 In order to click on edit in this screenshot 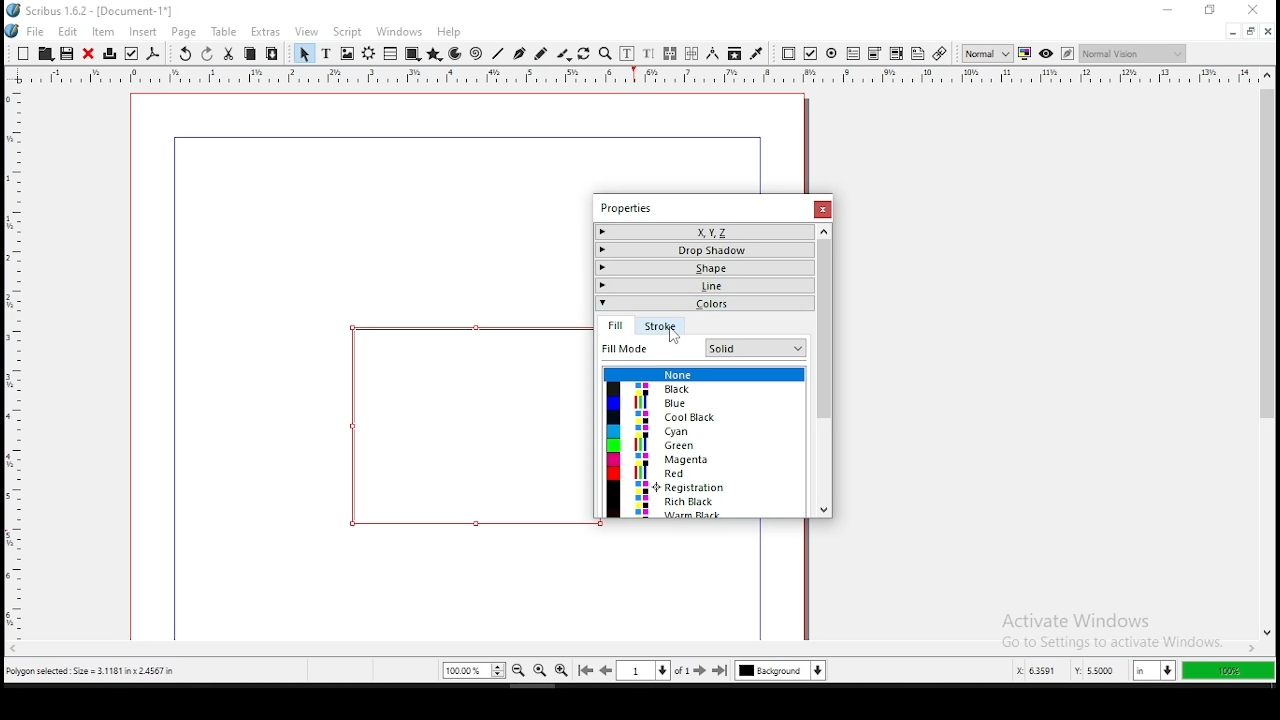, I will do `click(68, 31)`.